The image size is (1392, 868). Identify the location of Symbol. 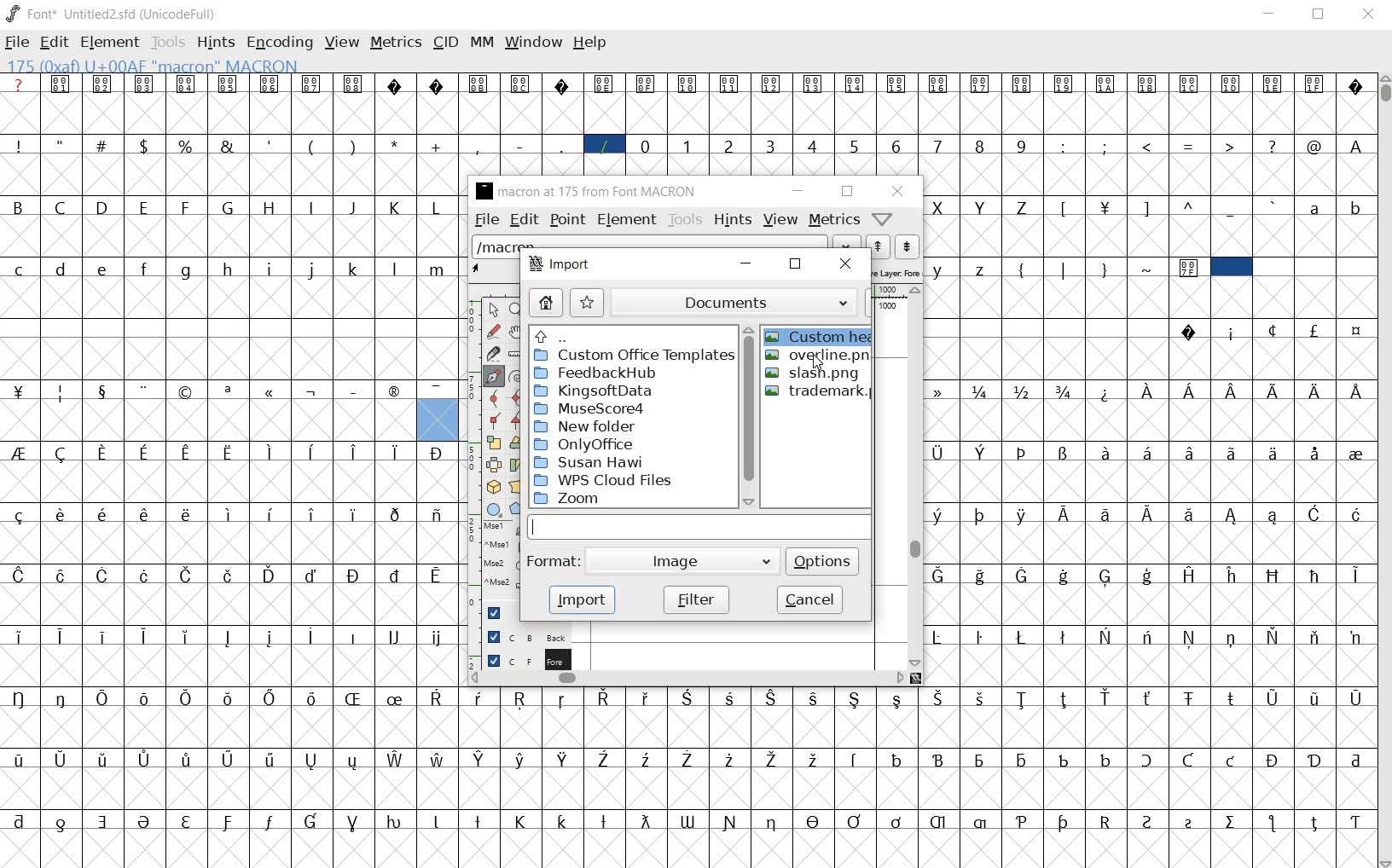
(774, 821).